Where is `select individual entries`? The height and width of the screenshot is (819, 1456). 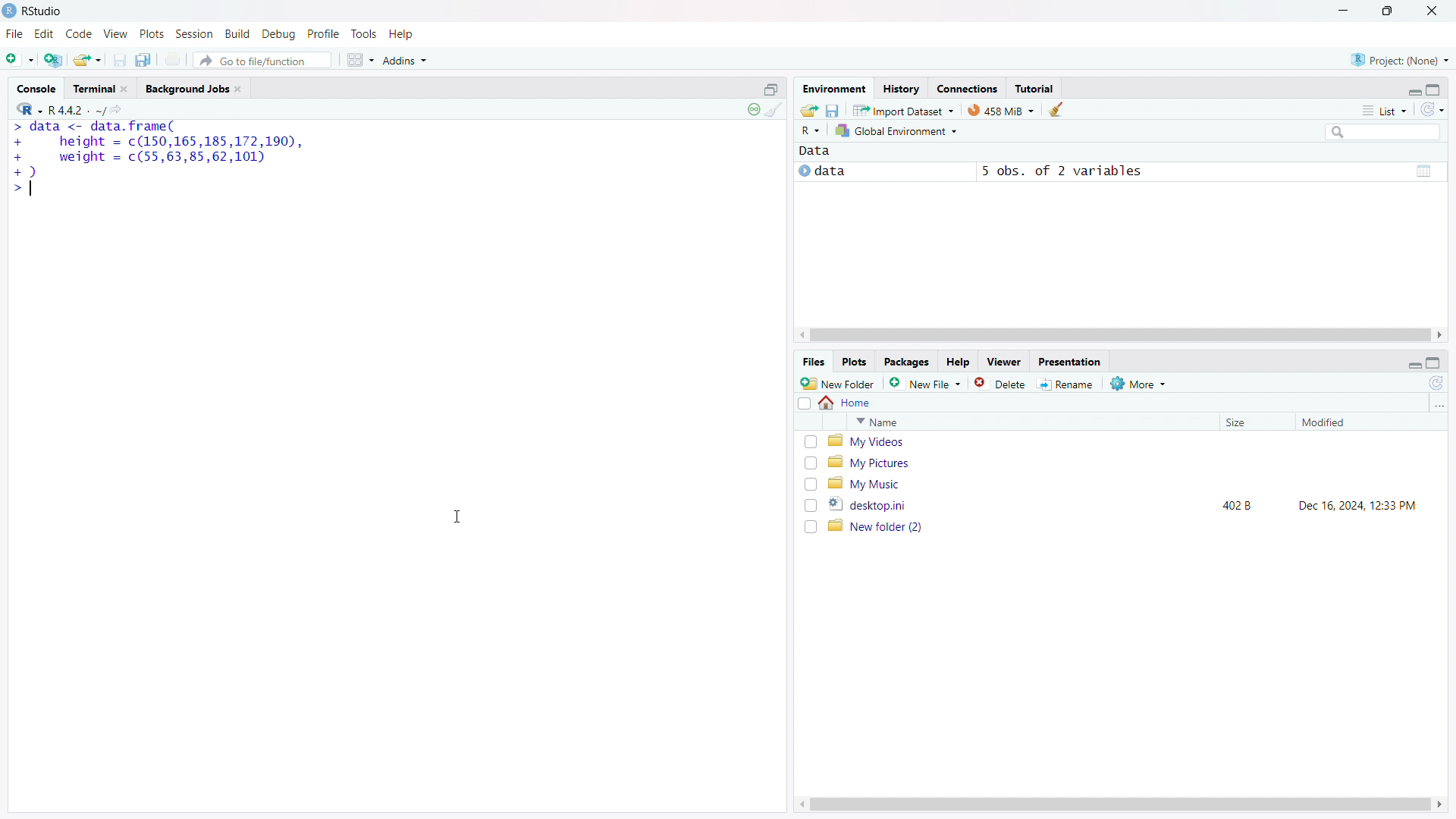
select individual entries is located at coordinates (810, 485).